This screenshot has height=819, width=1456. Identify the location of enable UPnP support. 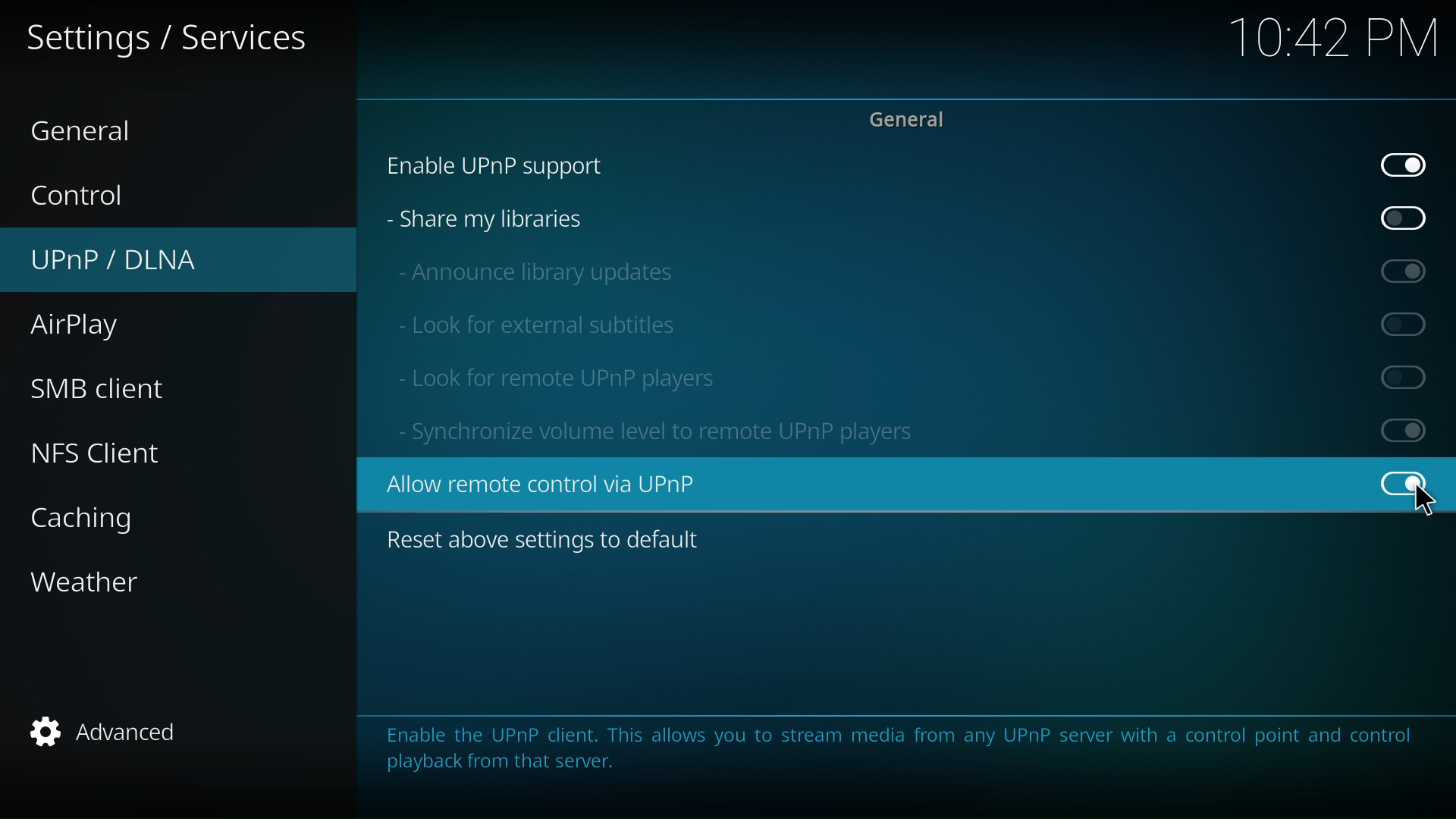
(902, 165).